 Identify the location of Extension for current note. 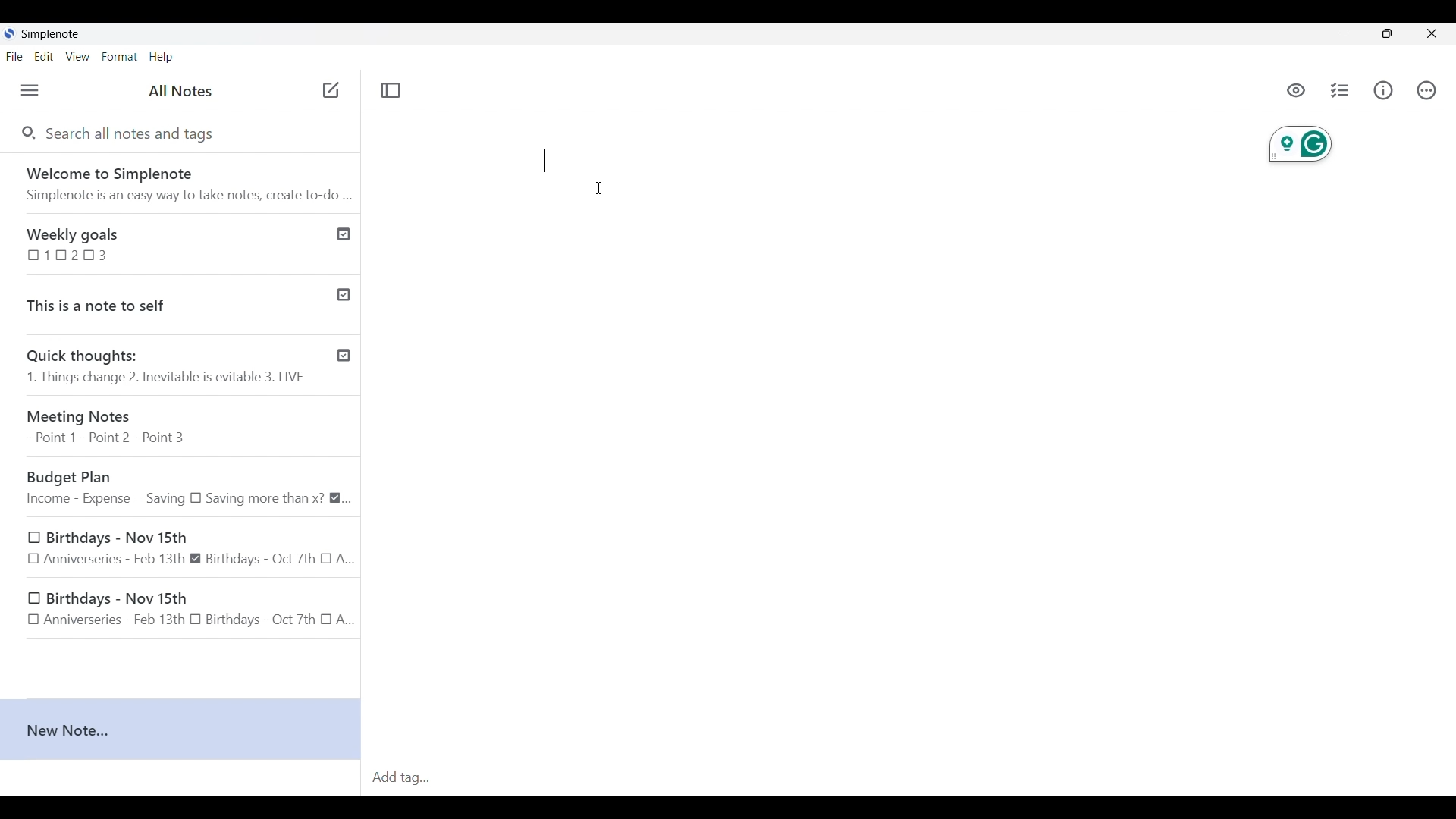
(1299, 143).